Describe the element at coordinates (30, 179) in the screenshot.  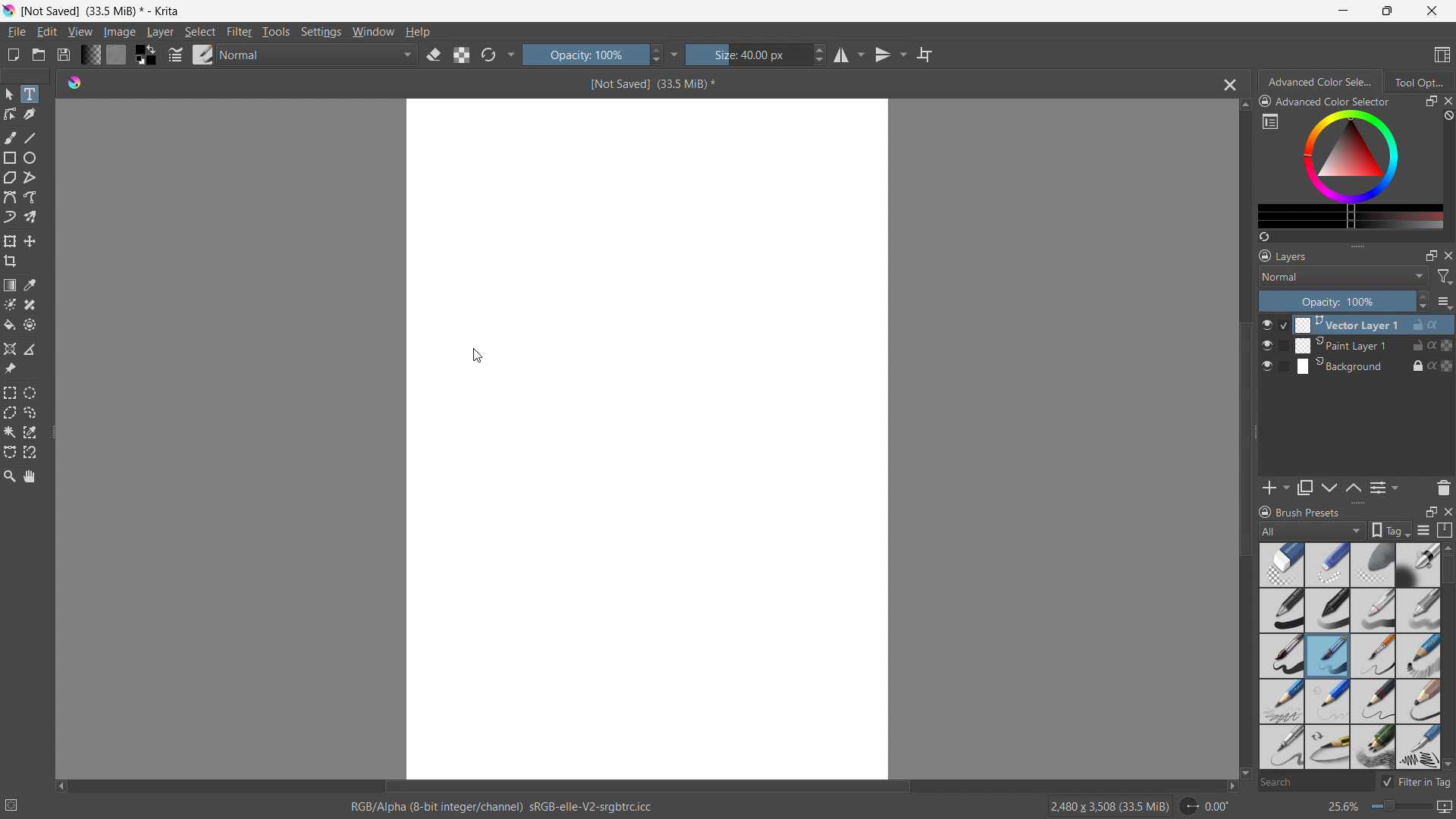
I see `polyline tool` at that location.